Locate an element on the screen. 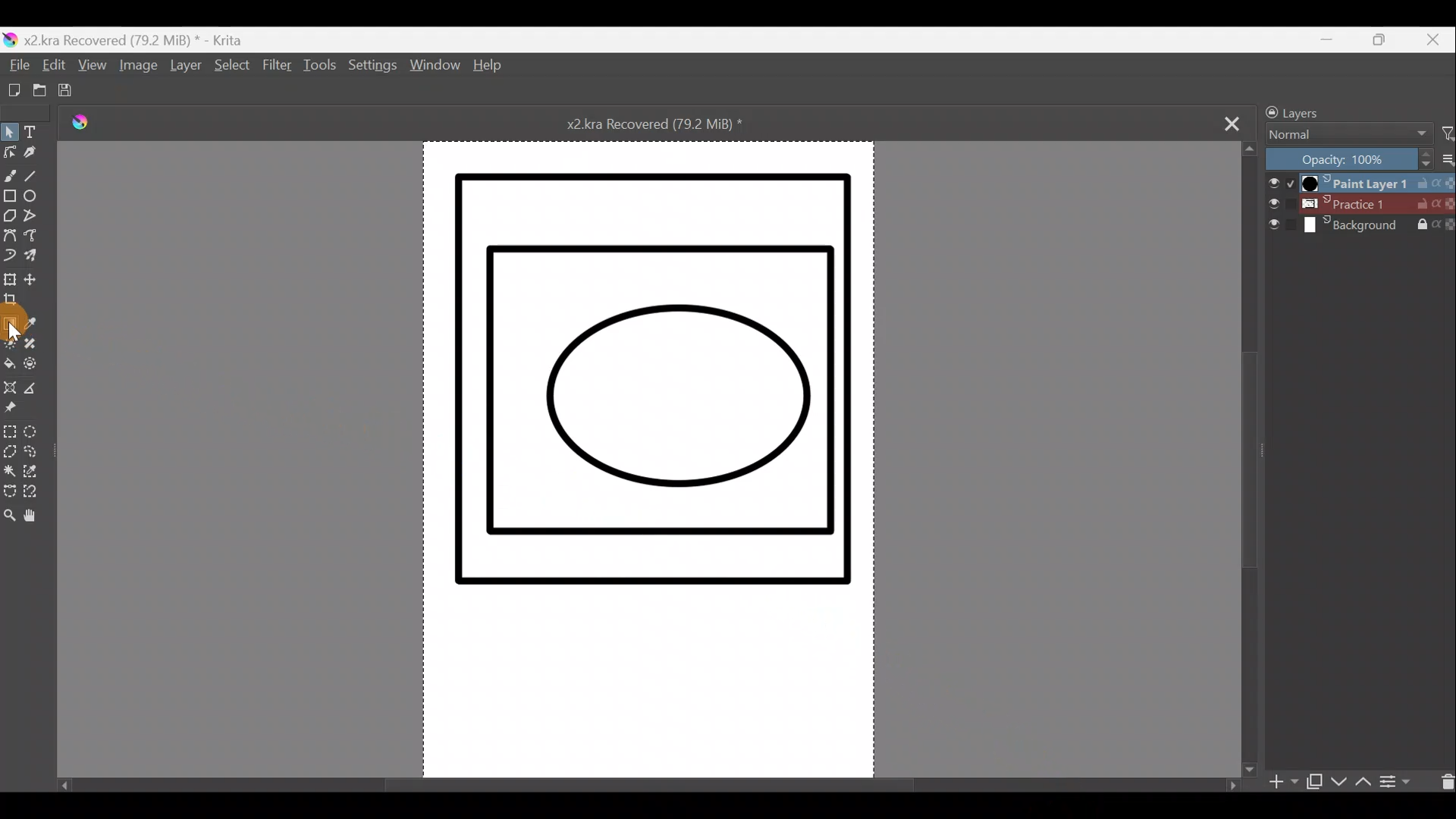 This screenshot has width=1456, height=819. Similar colour selection tool is located at coordinates (34, 475).